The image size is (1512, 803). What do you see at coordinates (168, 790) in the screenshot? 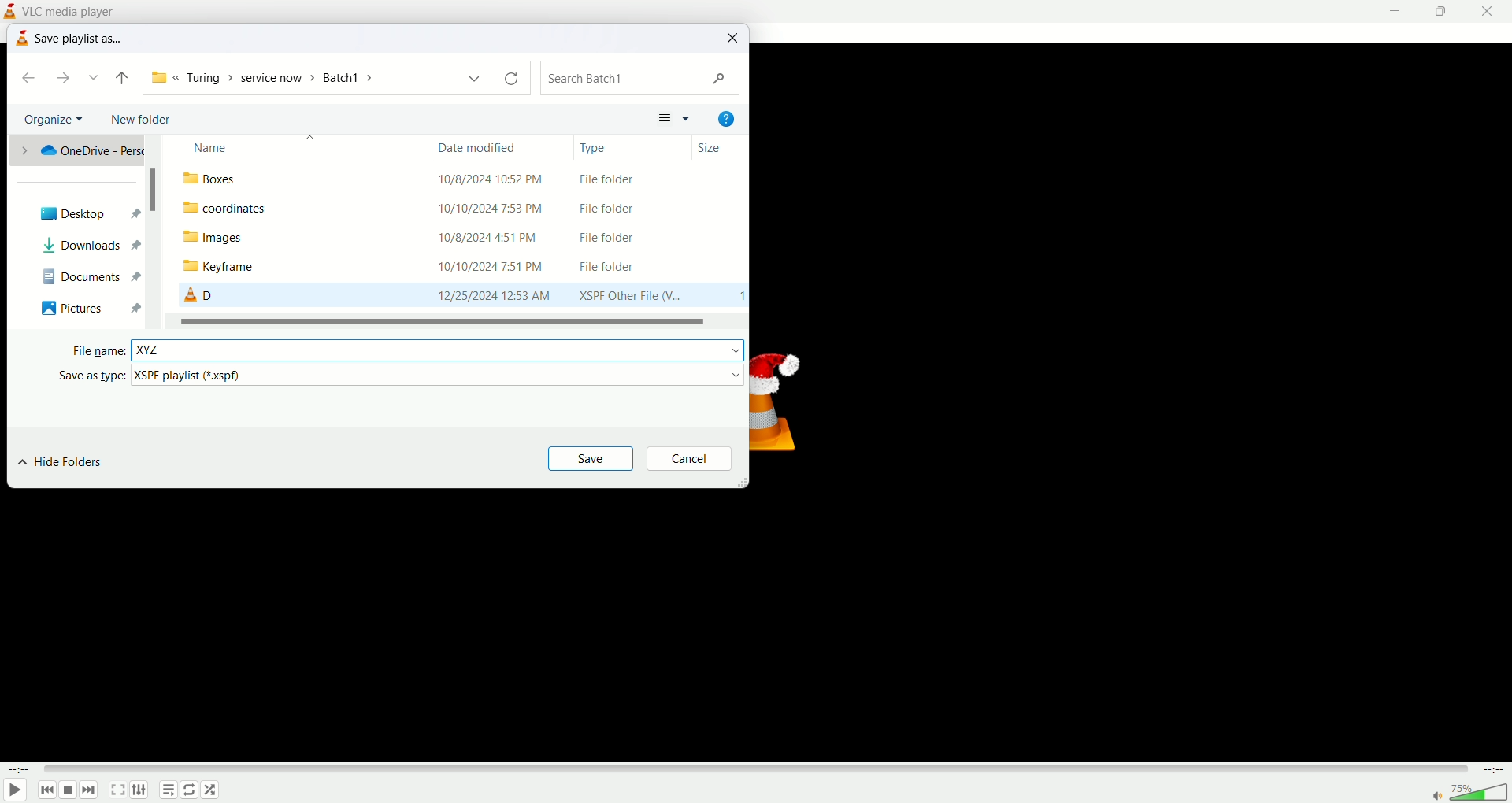
I see `playlist` at bounding box center [168, 790].